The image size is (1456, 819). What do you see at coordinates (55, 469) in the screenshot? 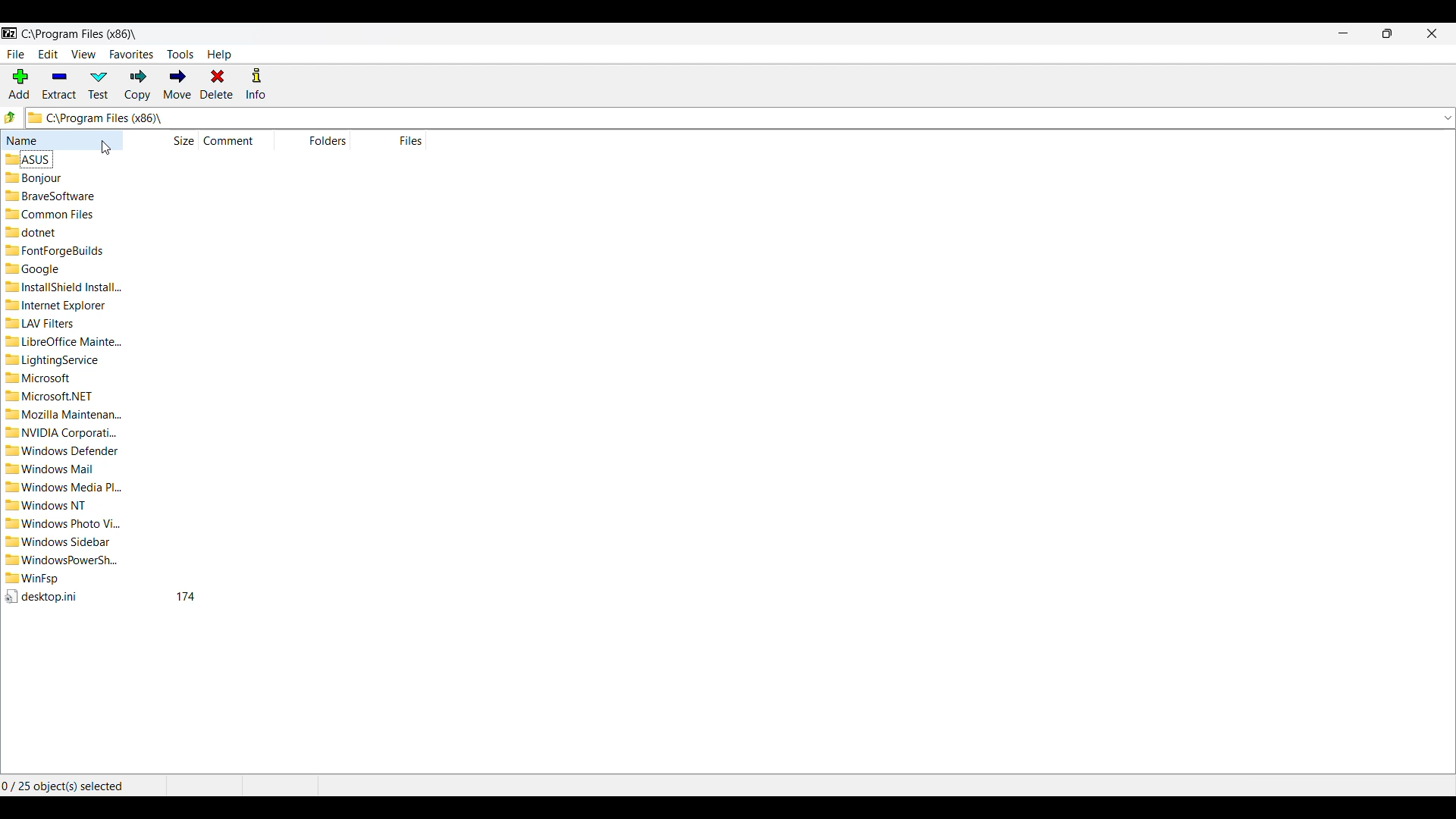
I see `Windows Mail` at bounding box center [55, 469].